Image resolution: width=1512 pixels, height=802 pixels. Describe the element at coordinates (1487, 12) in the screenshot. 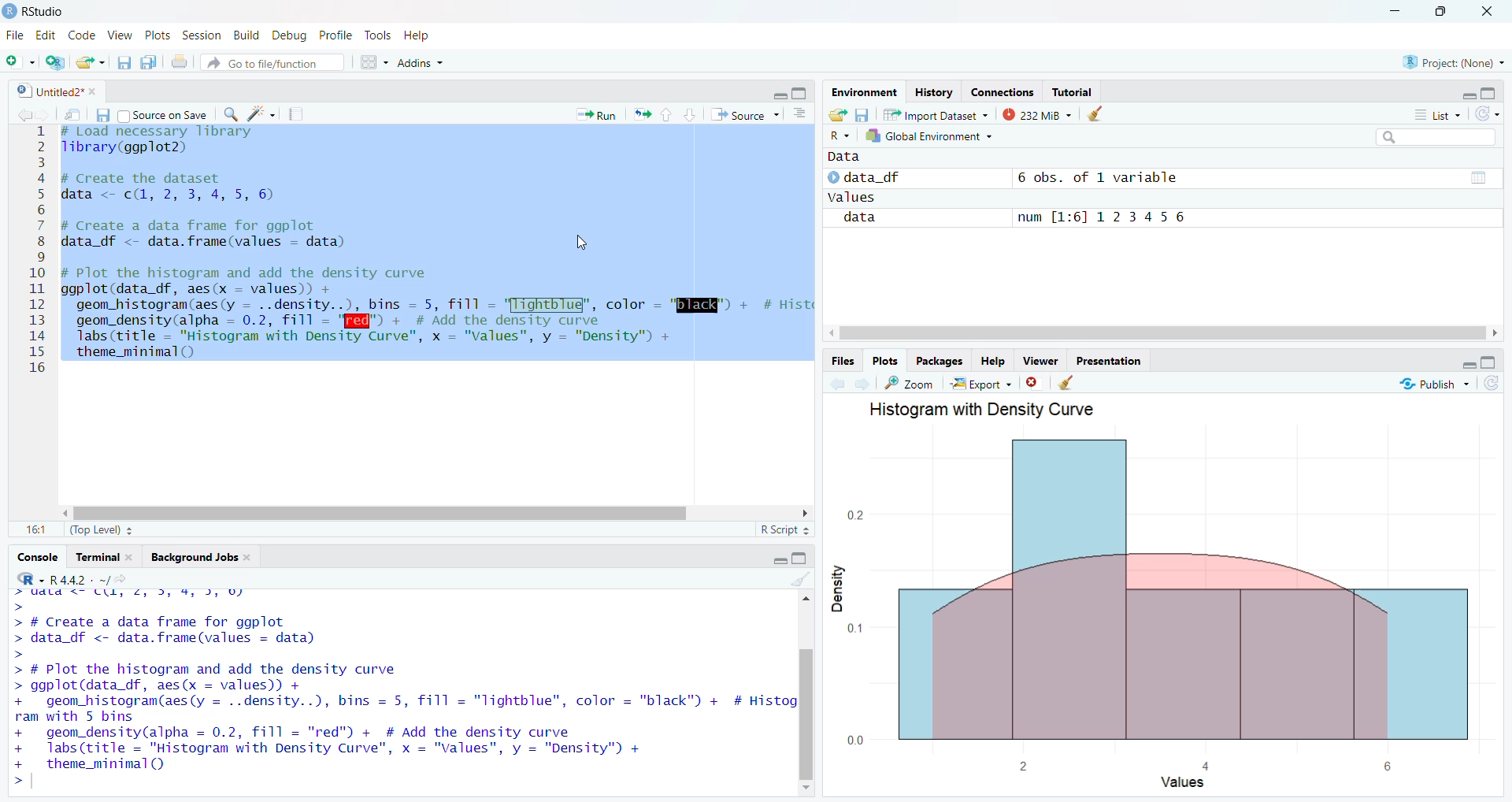

I see `close` at that location.